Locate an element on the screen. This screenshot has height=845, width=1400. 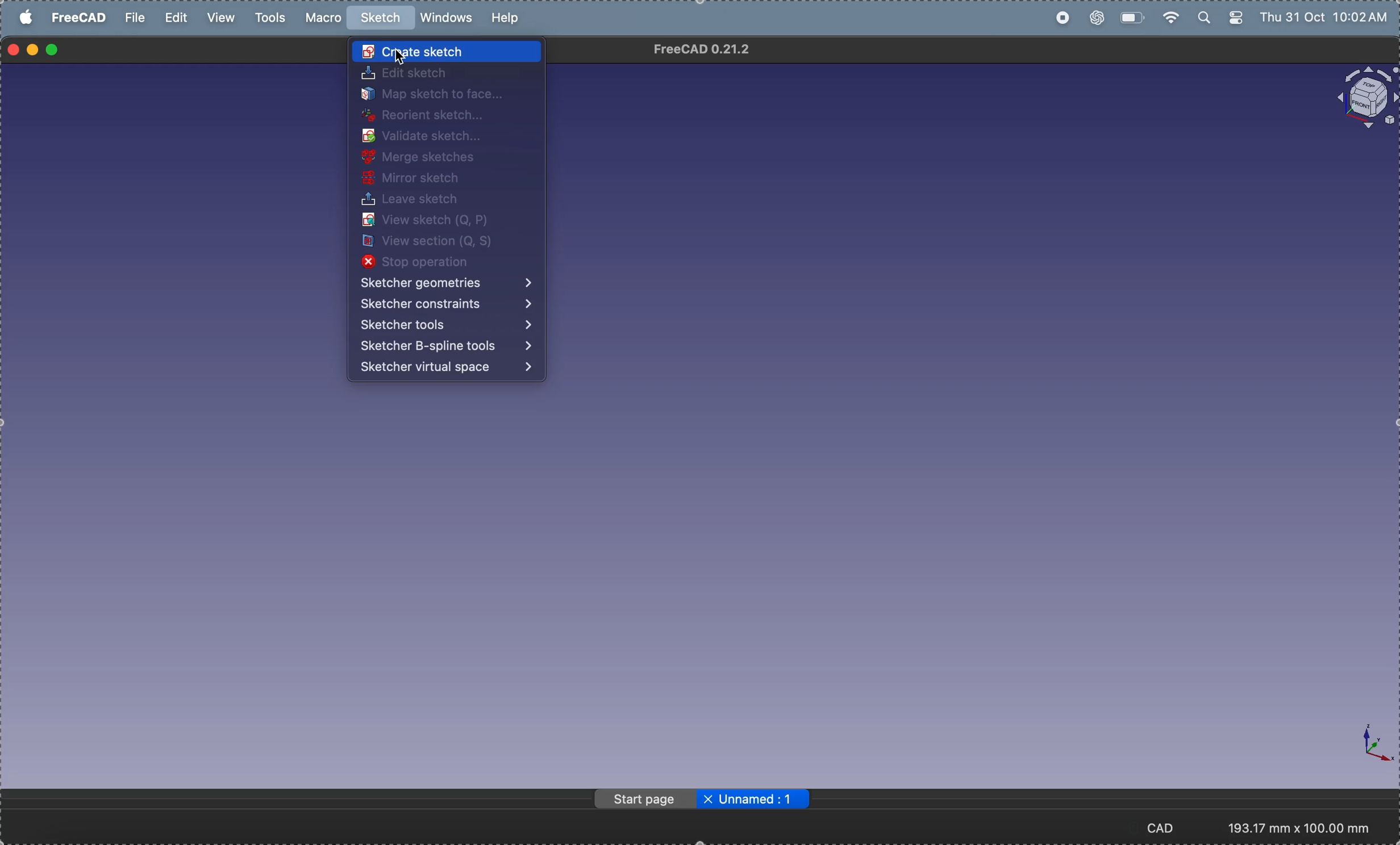
apple menu is located at coordinates (27, 17).